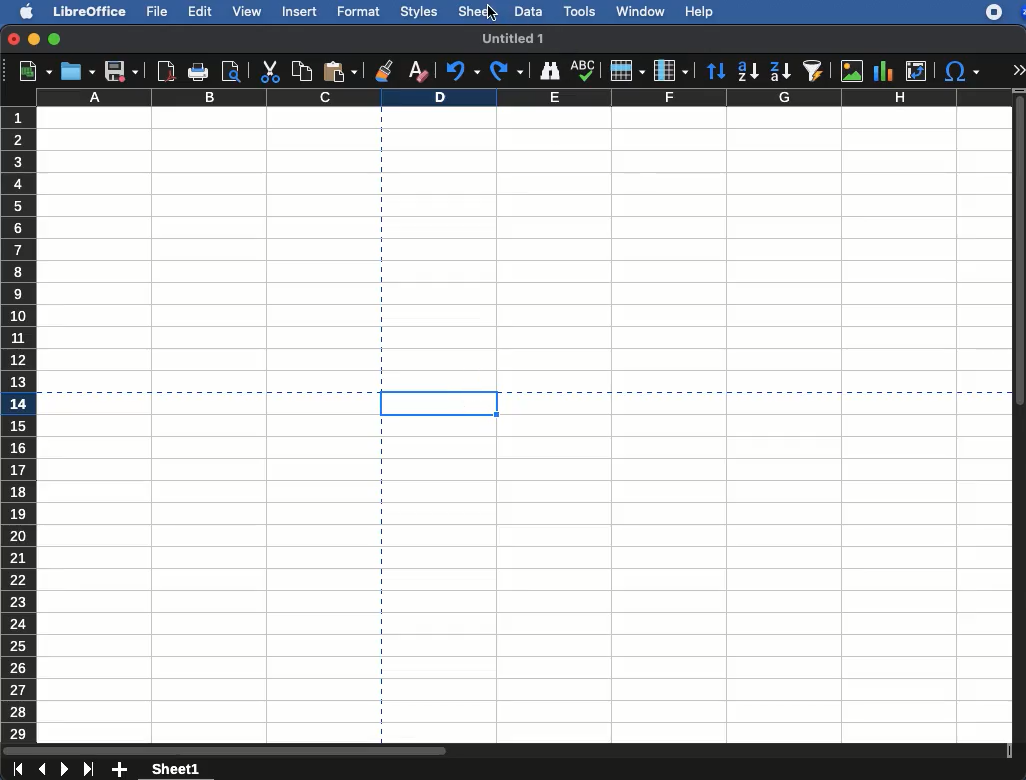 This screenshot has height=780, width=1026. What do you see at coordinates (919, 69) in the screenshot?
I see `pivot table` at bounding box center [919, 69].